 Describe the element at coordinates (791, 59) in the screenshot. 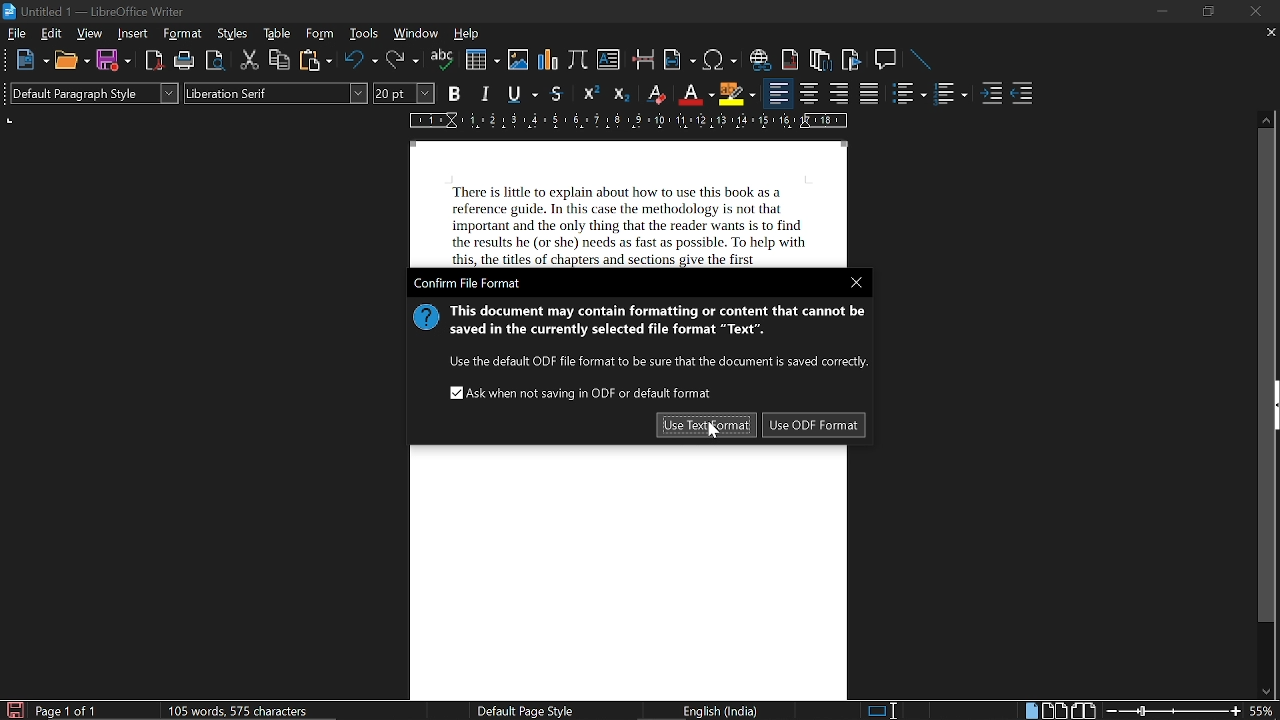

I see `insert footnote` at that location.